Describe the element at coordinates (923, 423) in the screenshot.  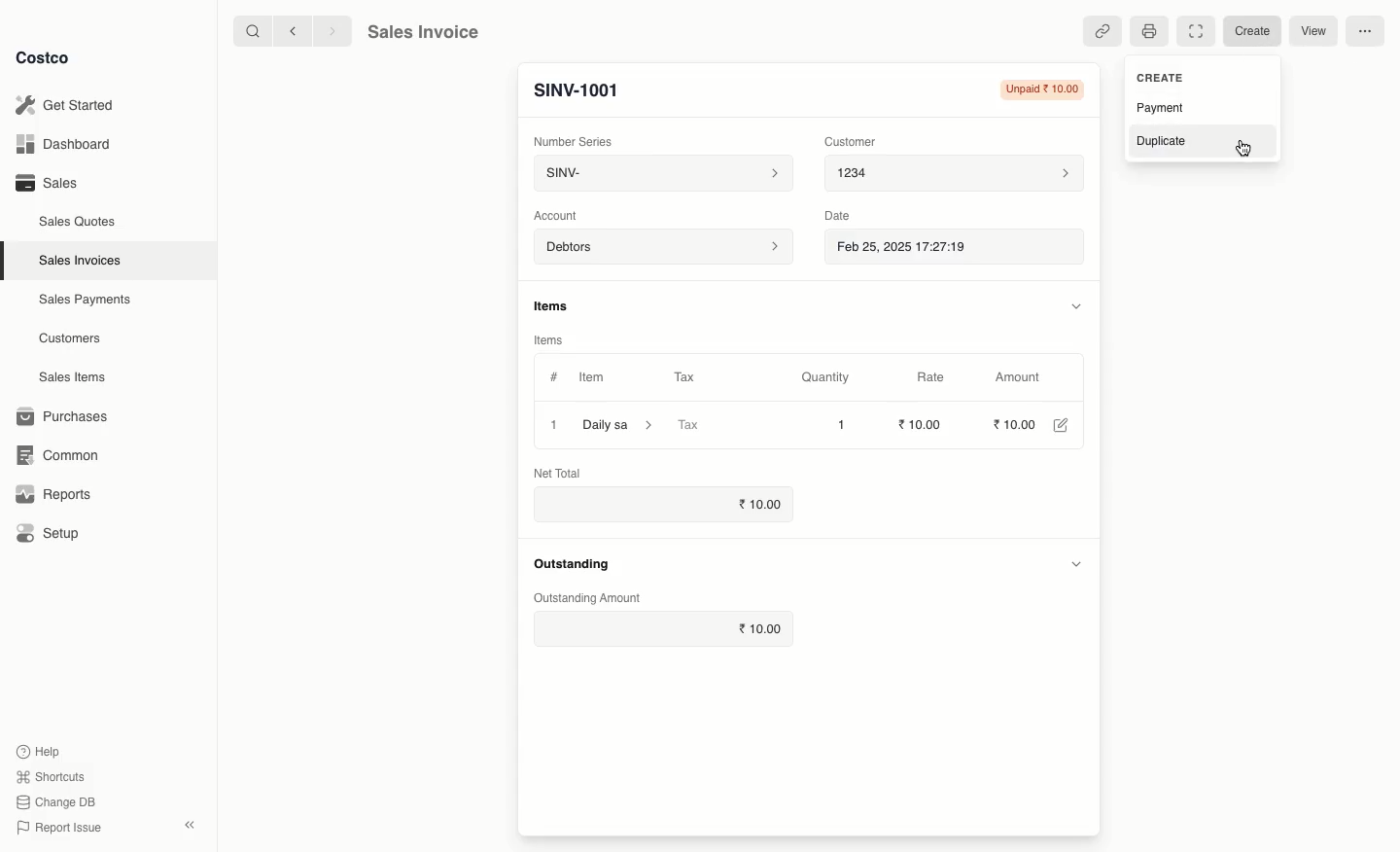
I see `10.00` at that location.